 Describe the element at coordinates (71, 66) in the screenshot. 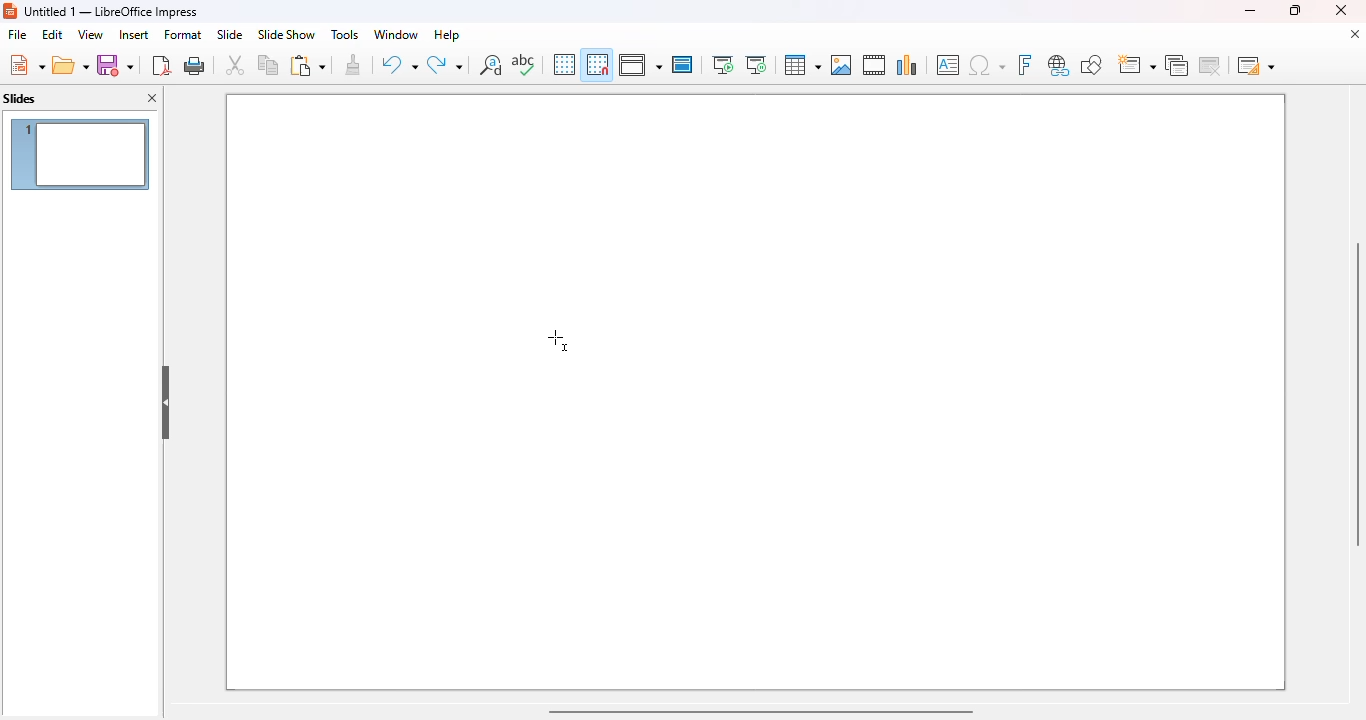

I see `open` at that location.